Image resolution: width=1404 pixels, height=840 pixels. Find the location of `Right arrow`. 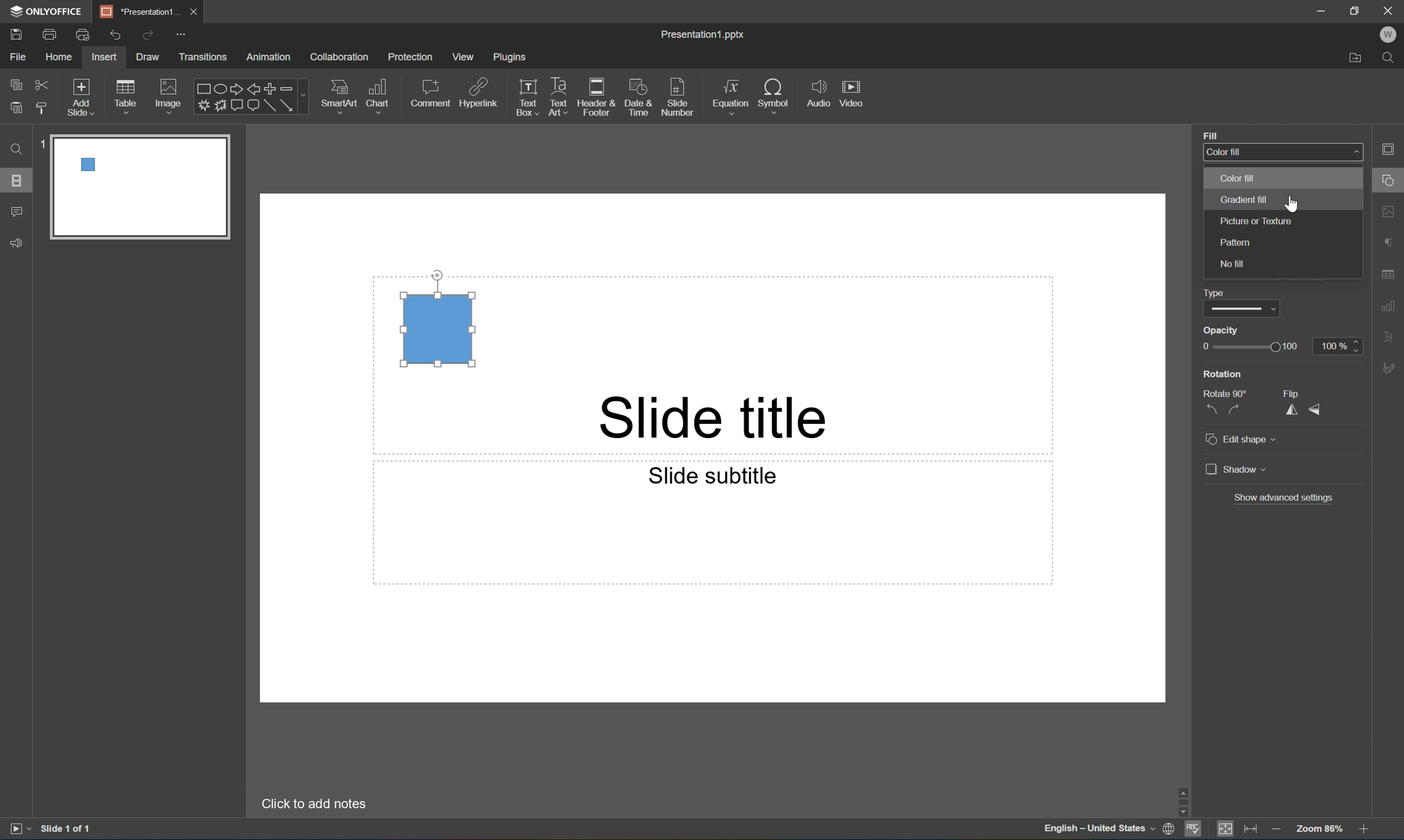

Right arrow is located at coordinates (234, 89).